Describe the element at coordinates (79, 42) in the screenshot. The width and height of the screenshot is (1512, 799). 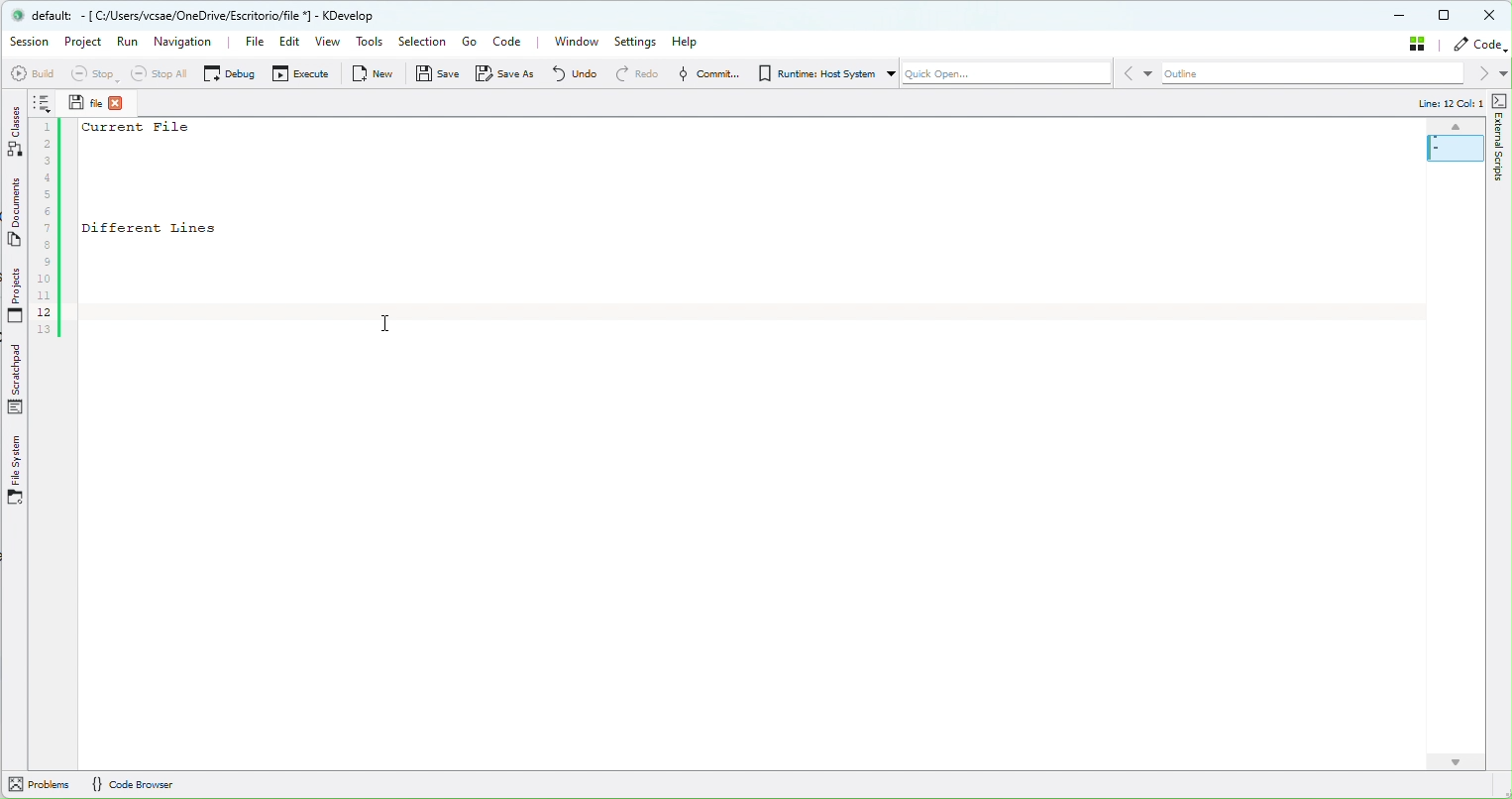
I see `Project` at that location.